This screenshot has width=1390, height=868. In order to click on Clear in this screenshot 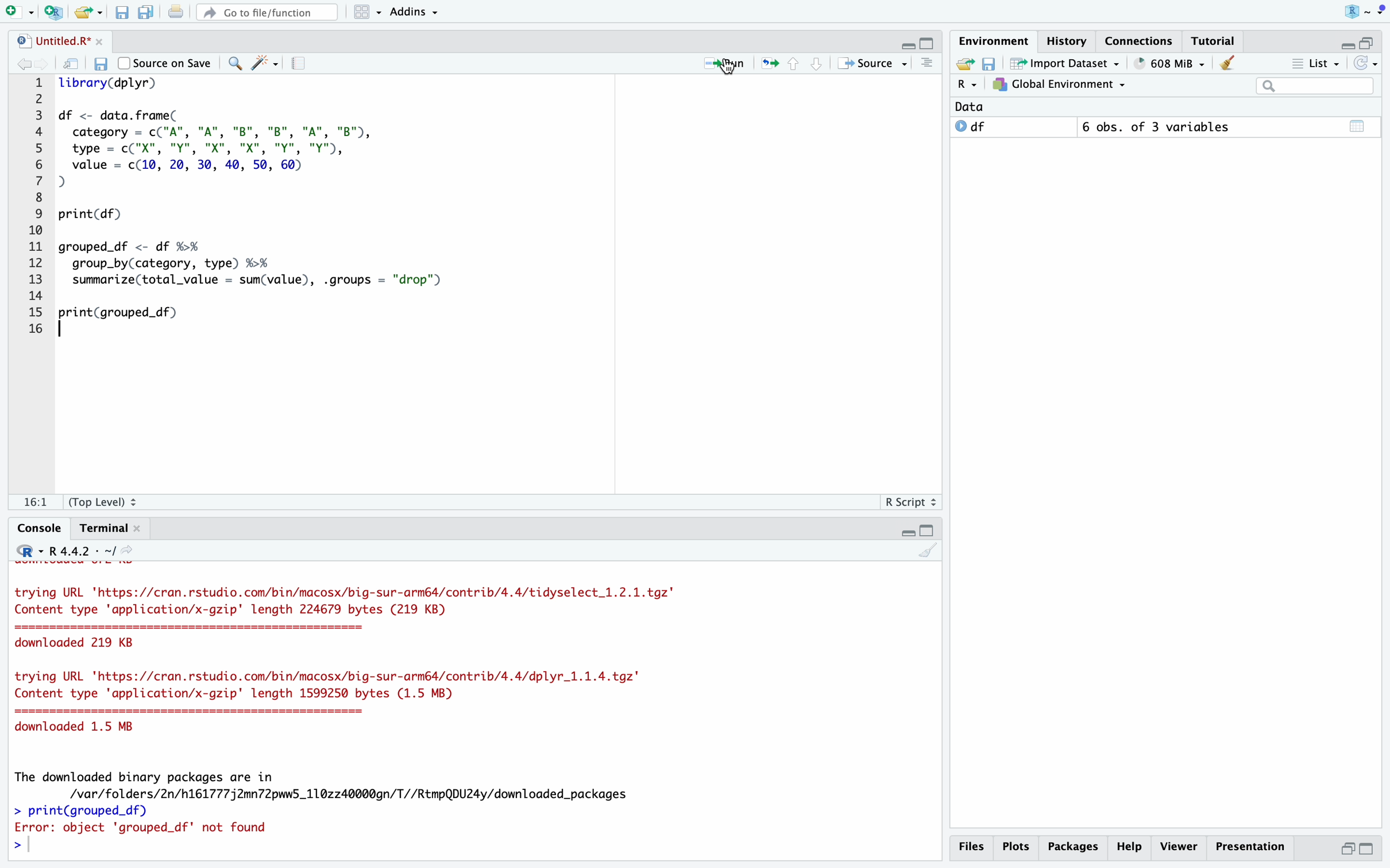, I will do `click(926, 550)`.